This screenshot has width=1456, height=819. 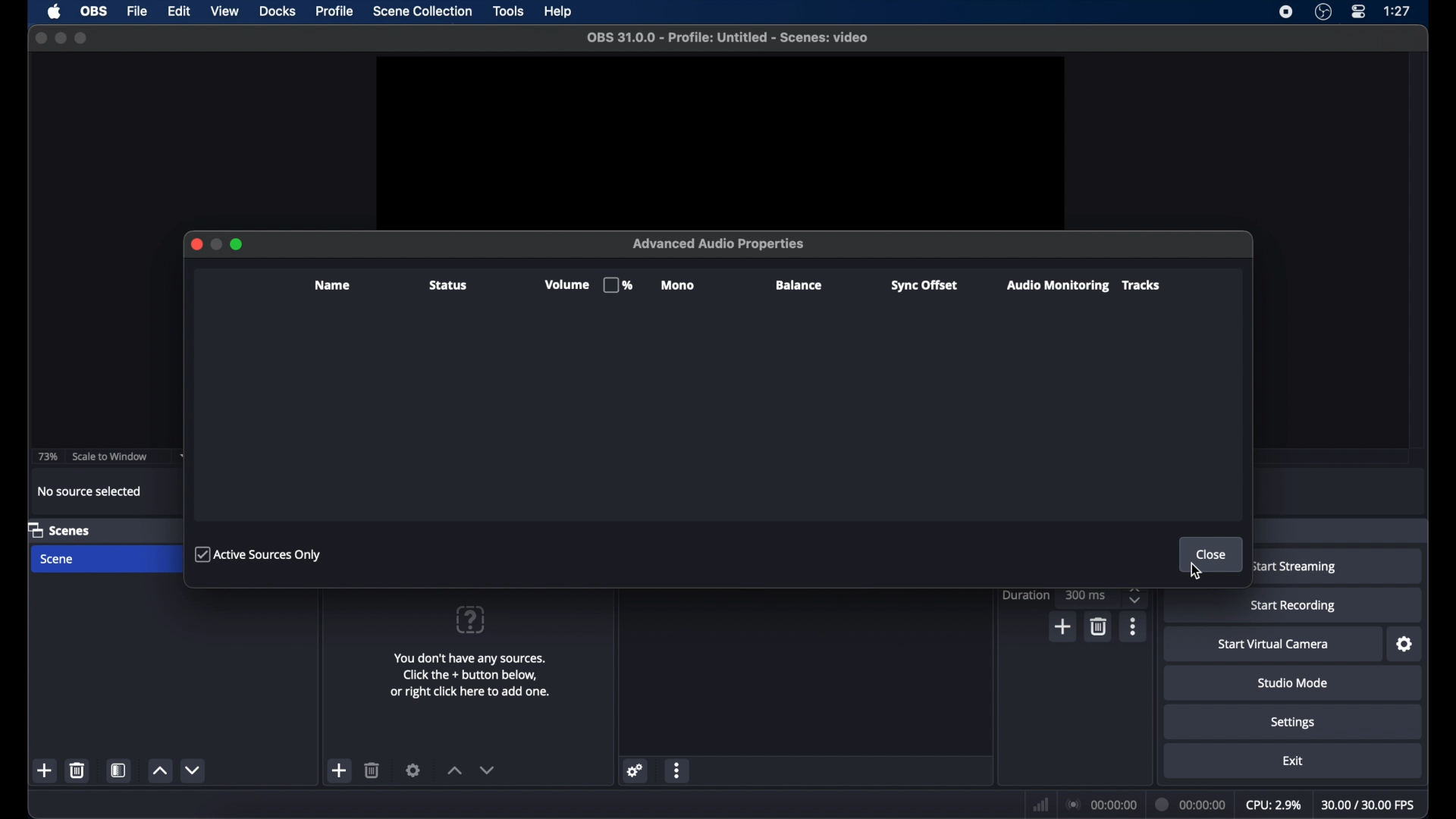 What do you see at coordinates (41, 38) in the screenshot?
I see `close` at bounding box center [41, 38].